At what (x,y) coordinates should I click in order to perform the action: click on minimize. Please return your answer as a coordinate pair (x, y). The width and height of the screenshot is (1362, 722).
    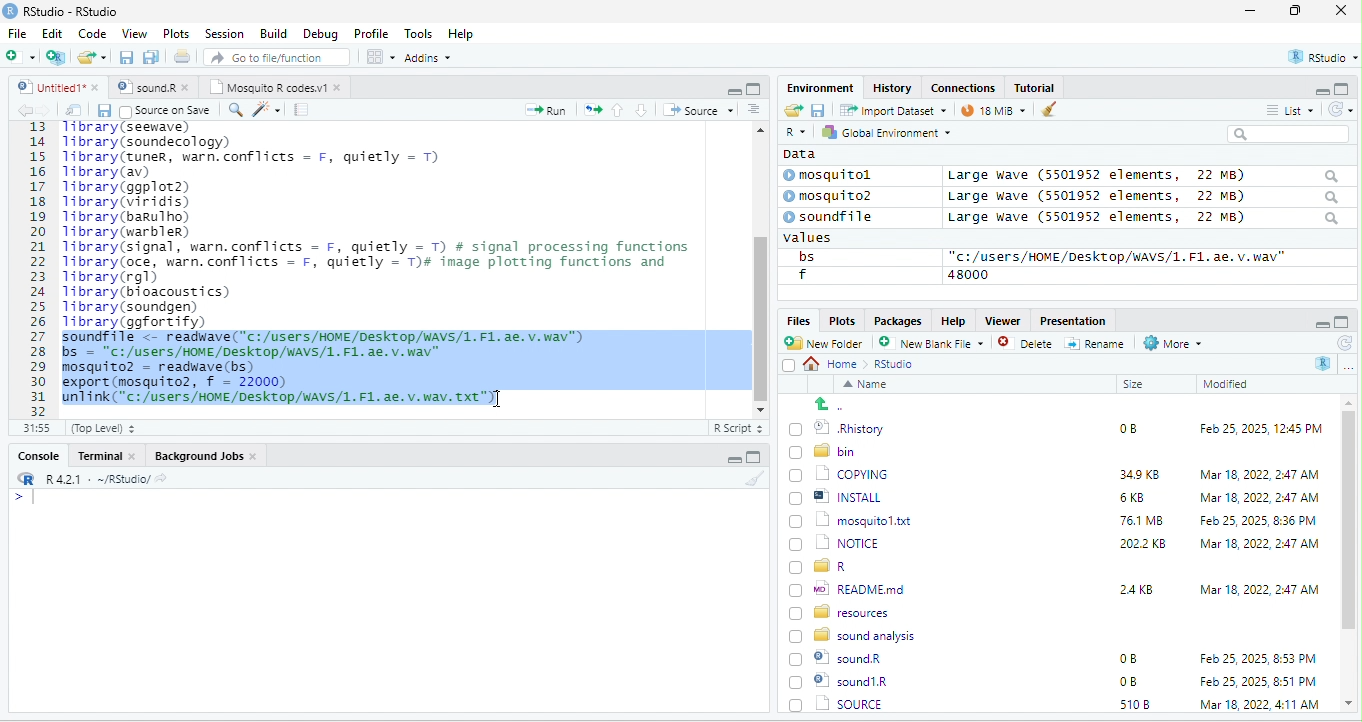
    Looking at the image, I should click on (1320, 323).